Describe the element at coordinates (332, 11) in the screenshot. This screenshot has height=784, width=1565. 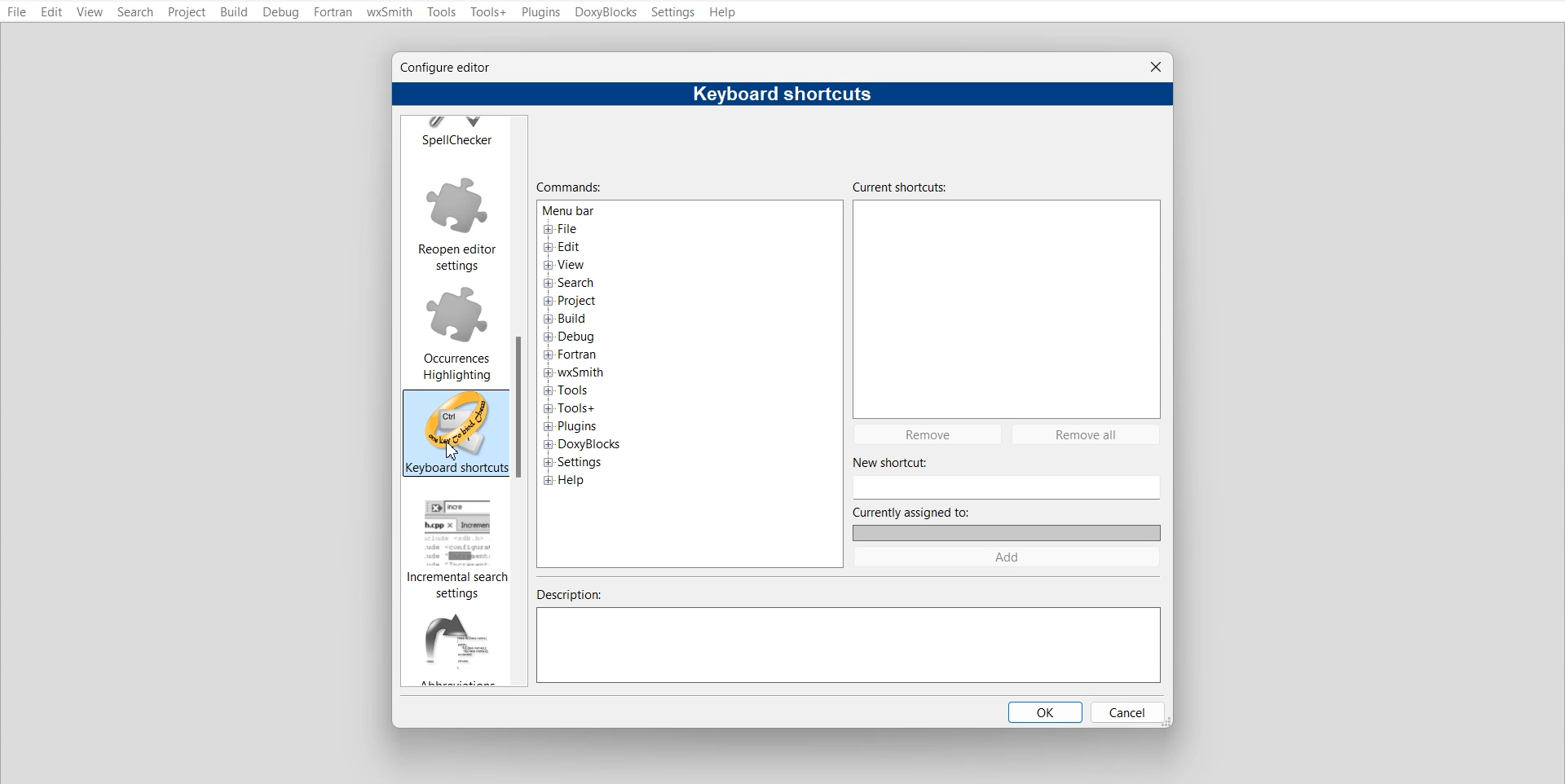
I see `Fortran` at that location.